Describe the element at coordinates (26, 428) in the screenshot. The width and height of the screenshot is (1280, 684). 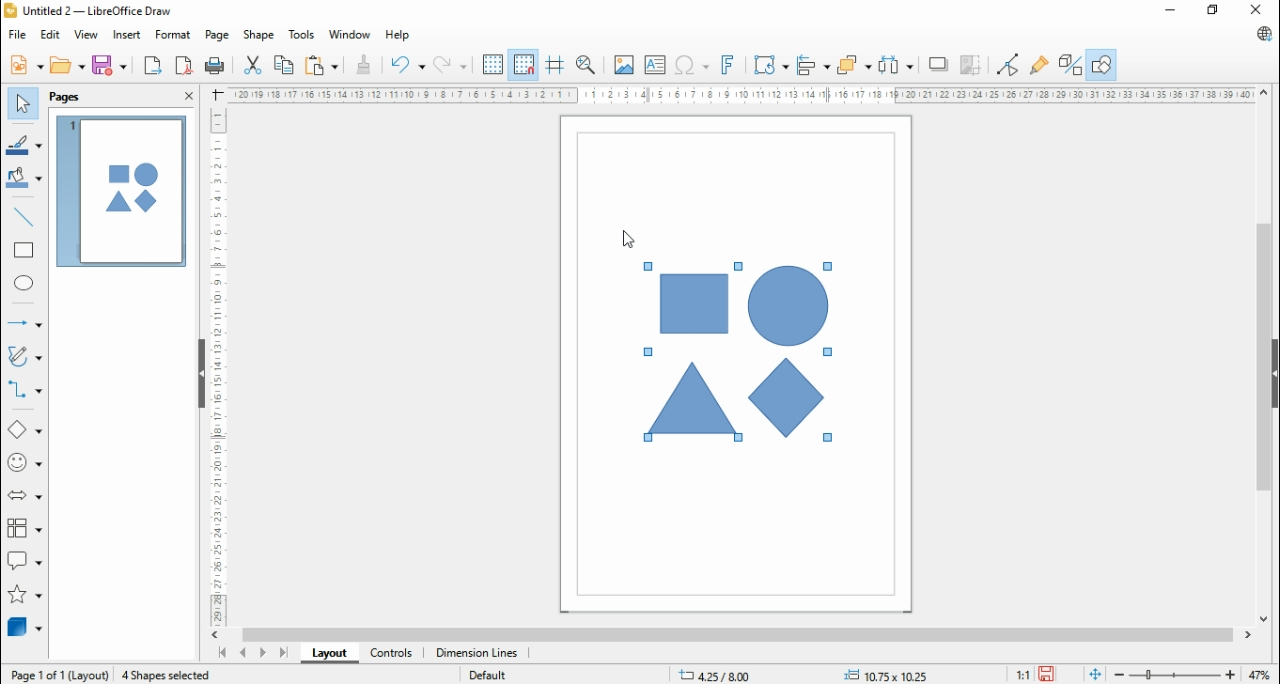
I see `simple shapes` at that location.